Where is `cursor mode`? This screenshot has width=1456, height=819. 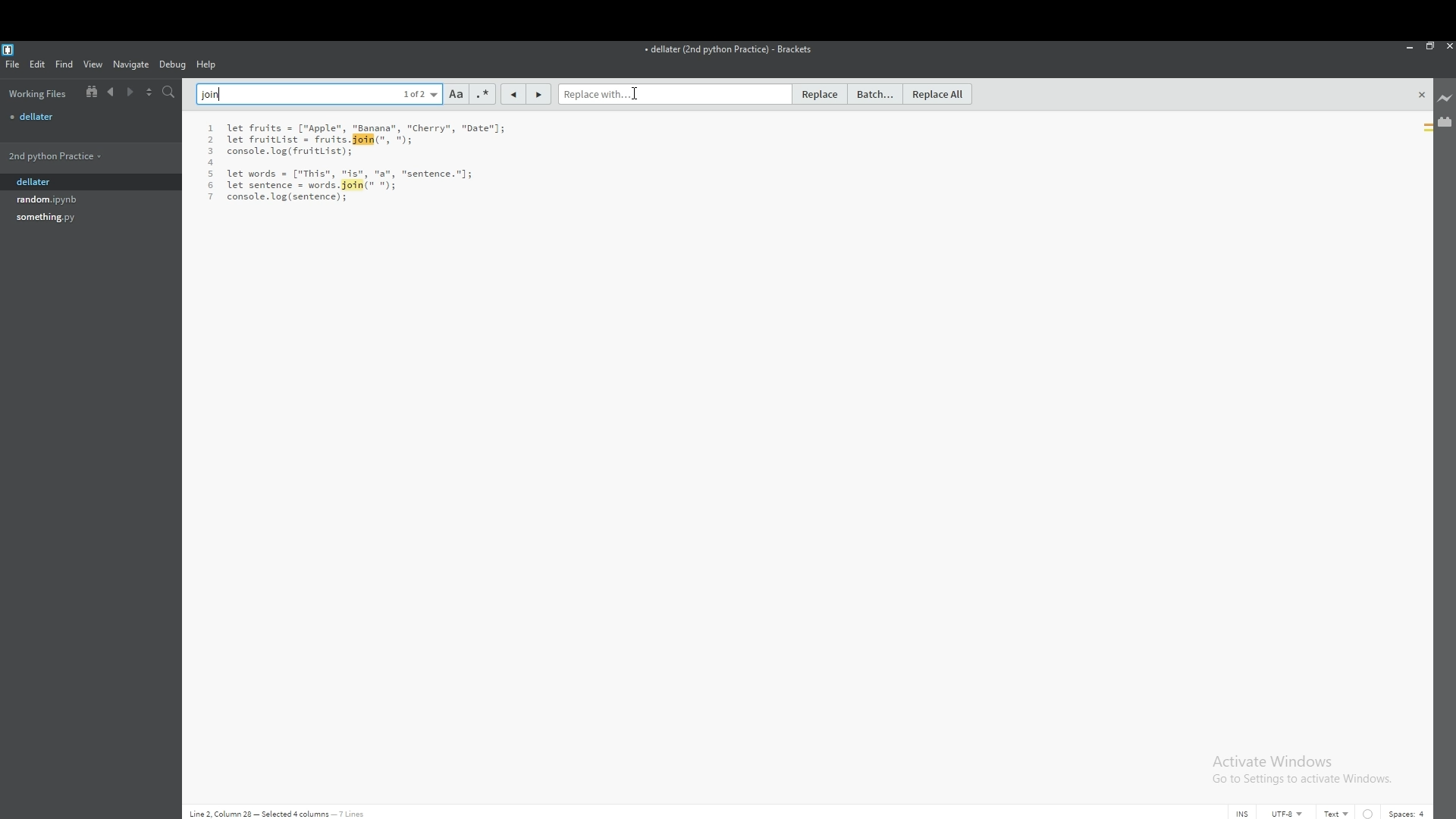
cursor mode is located at coordinates (1242, 813).